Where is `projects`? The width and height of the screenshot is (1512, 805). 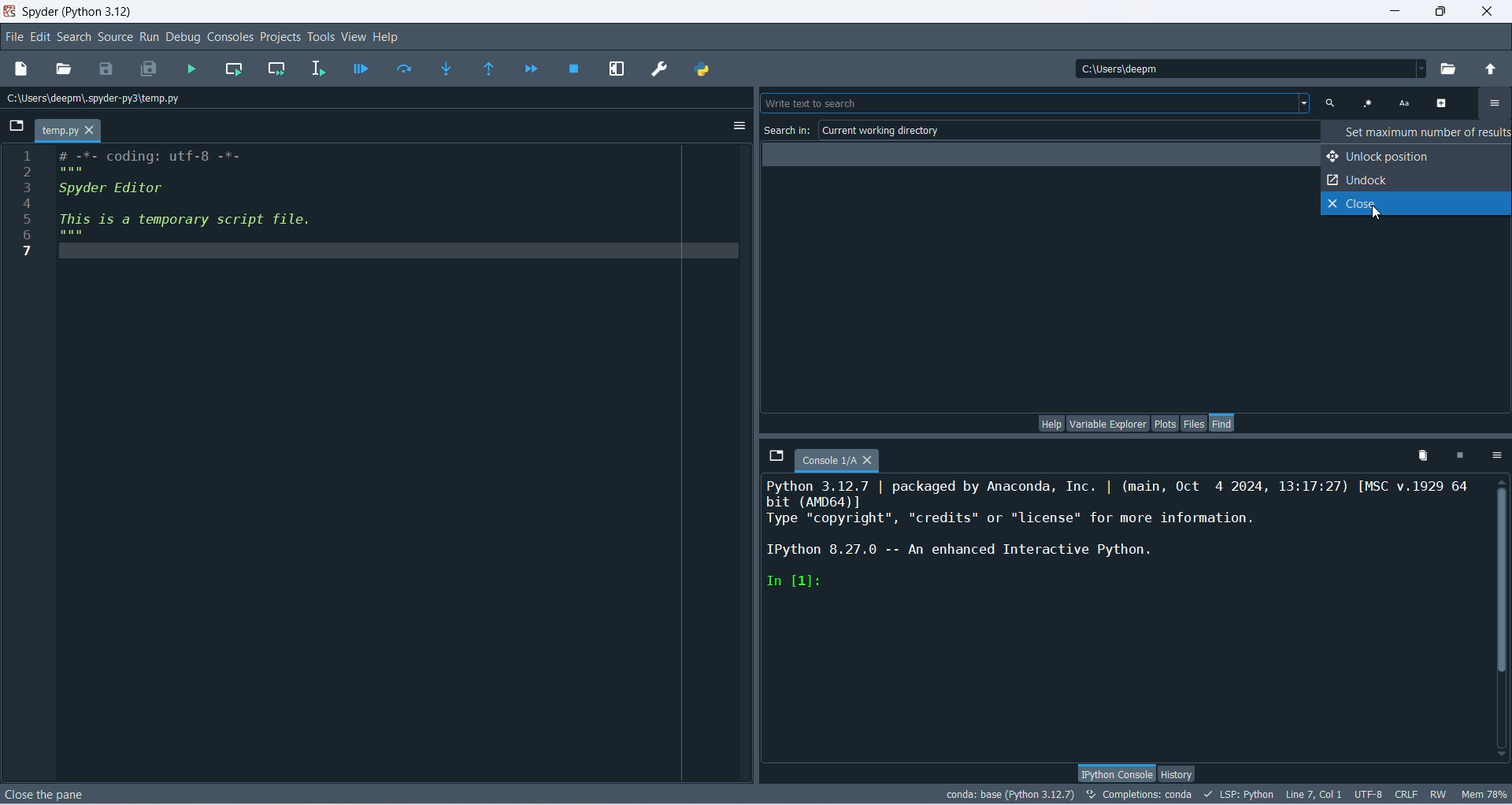 projects is located at coordinates (280, 39).